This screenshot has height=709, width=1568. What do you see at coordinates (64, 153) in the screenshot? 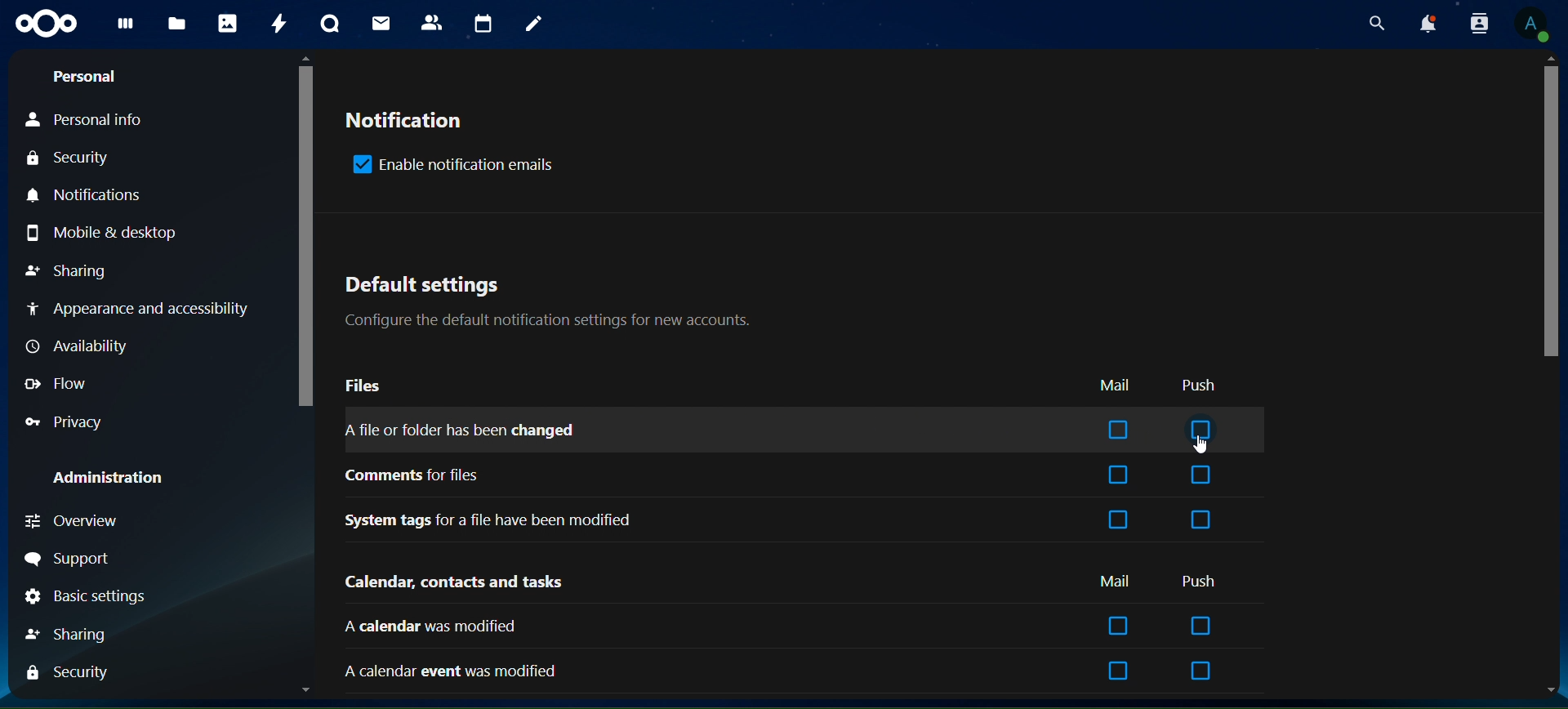
I see `security` at bounding box center [64, 153].